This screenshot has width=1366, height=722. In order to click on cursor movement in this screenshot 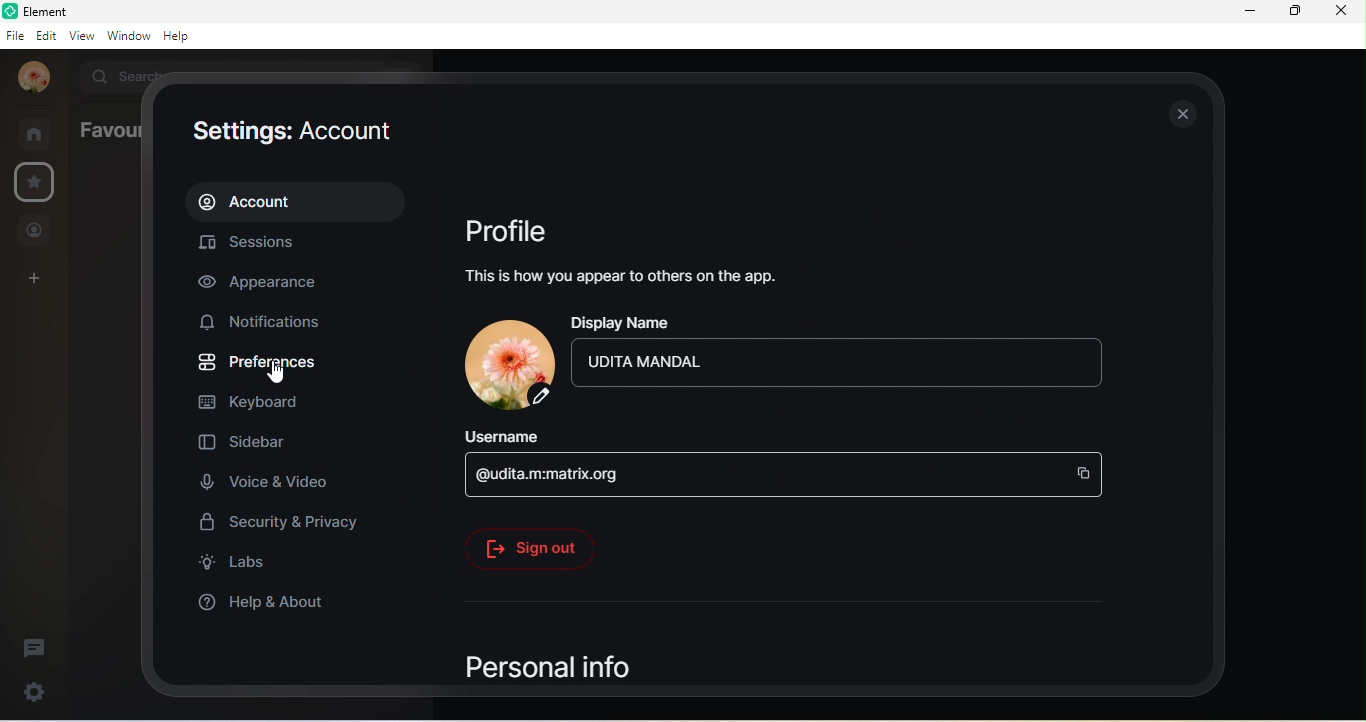, I will do `click(282, 374)`.